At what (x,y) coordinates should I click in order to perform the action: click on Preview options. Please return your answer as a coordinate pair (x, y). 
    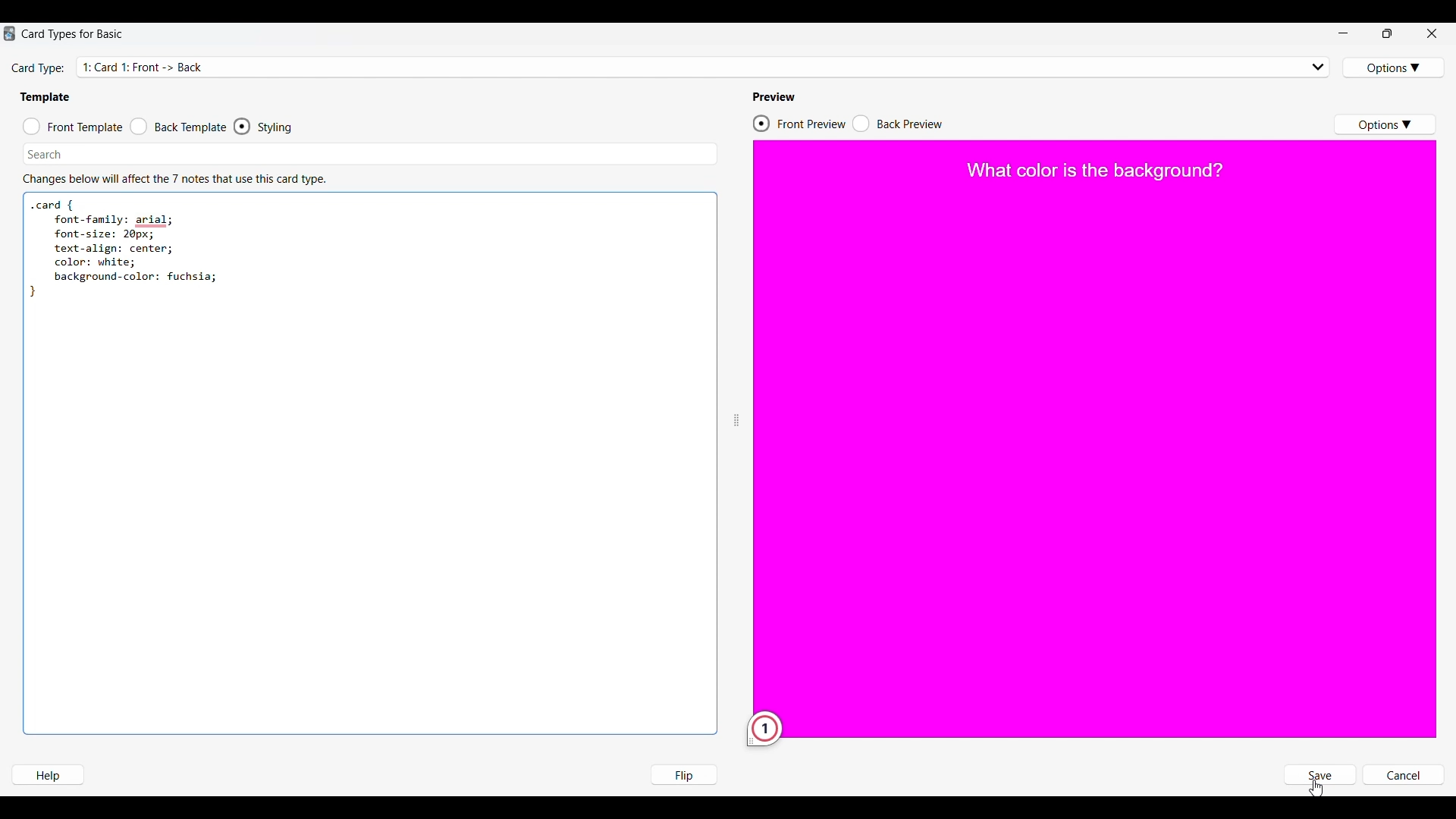
    Looking at the image, I should click on (1384, 124).